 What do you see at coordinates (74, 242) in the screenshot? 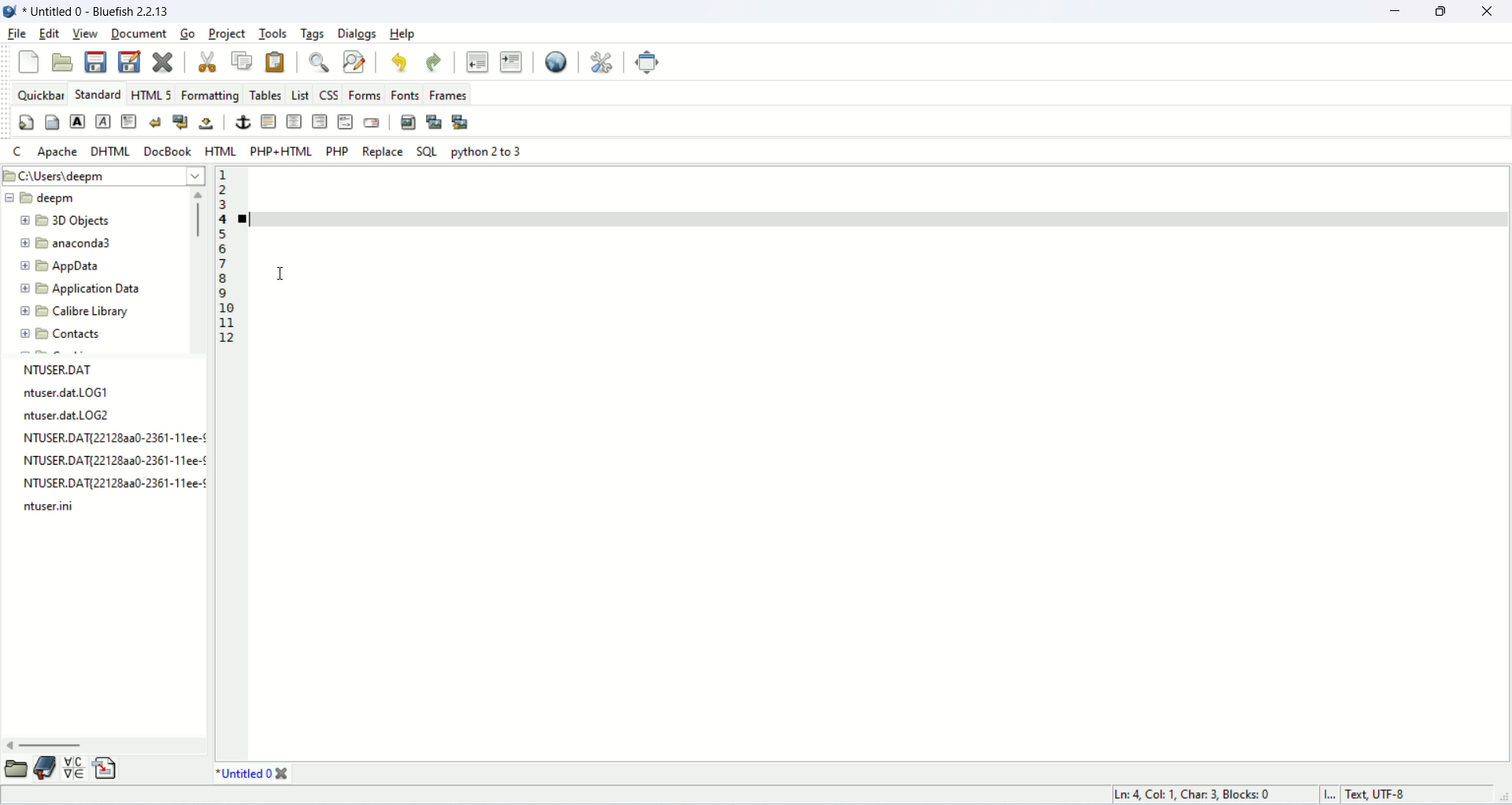
I see `folder name` at bounding box center [74, 242].